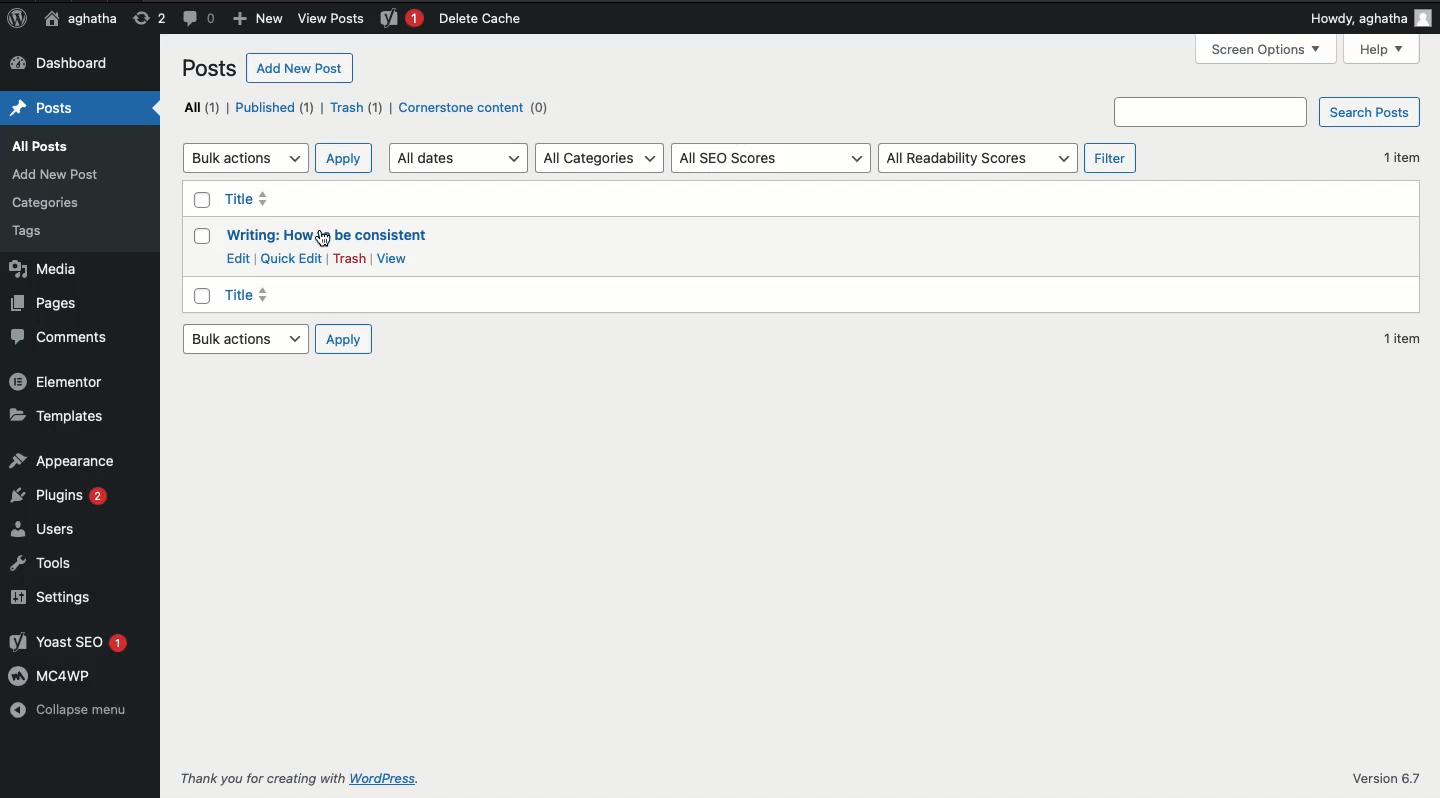 The width and height of the screenshot is (1440, 798). I want to click on Yoast, so click(399, 21).